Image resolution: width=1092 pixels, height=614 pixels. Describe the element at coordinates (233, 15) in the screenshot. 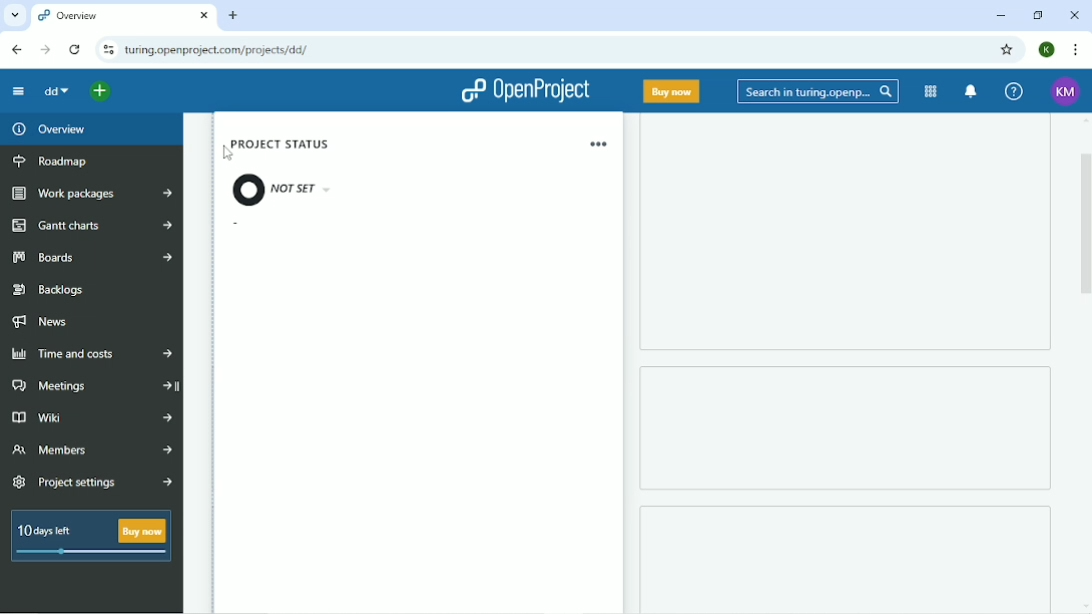

I see `New tab` at that location.